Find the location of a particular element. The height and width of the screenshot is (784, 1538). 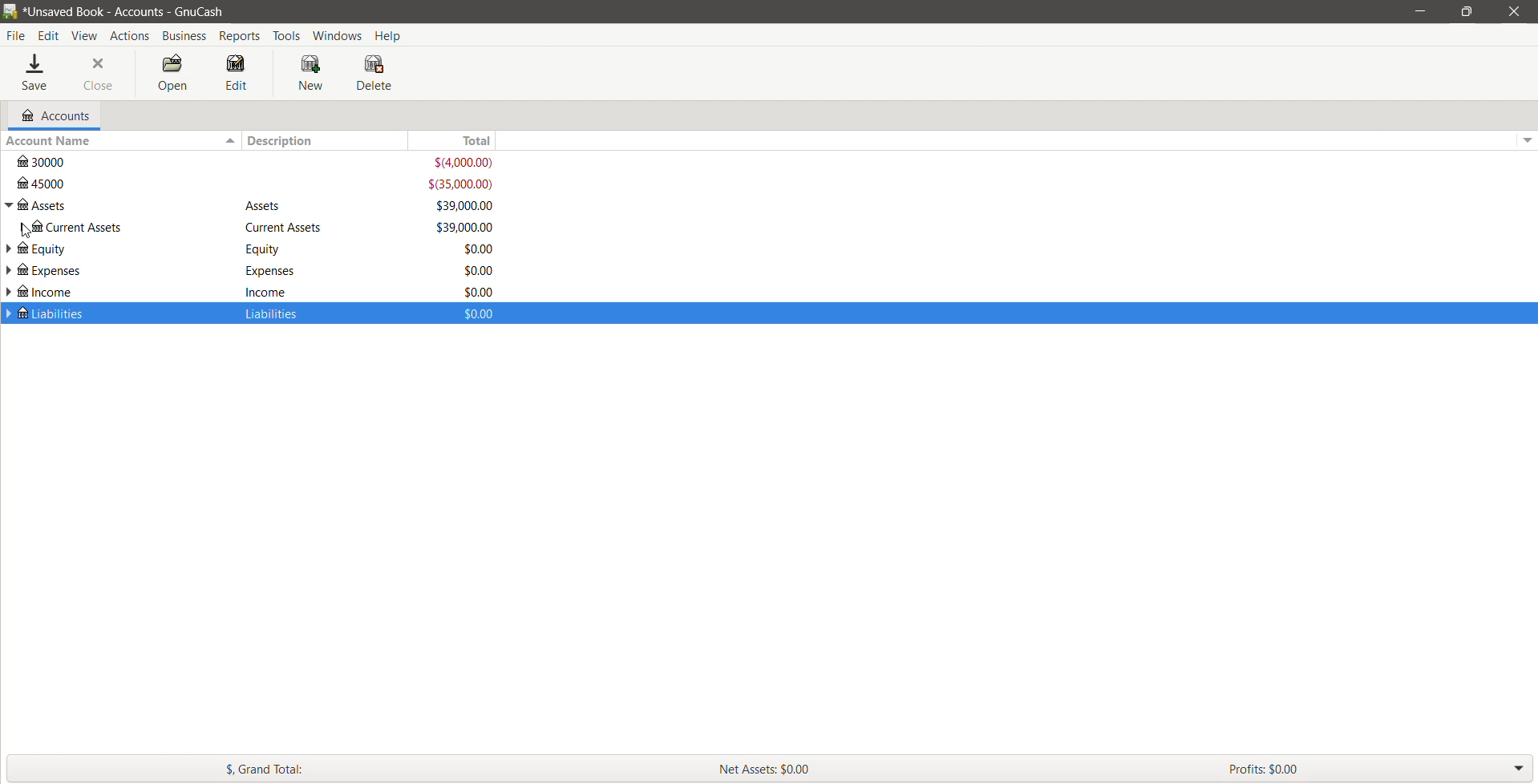

Account Name is located at coordinates (120, 141).